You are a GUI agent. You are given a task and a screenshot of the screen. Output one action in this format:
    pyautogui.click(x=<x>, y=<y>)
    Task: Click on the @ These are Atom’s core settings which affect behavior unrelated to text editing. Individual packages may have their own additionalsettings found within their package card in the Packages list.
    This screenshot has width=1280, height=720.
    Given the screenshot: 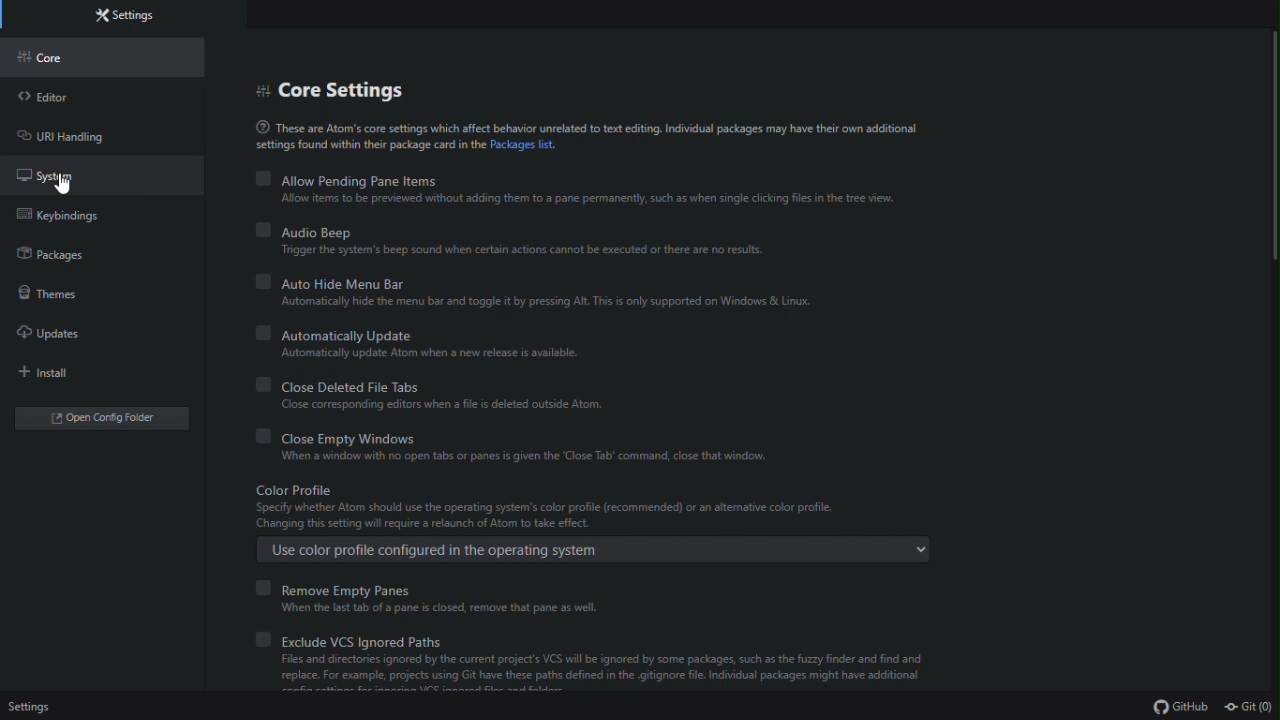 What is the action you would take?
    pyautogui.click(x=594, y=135)
    